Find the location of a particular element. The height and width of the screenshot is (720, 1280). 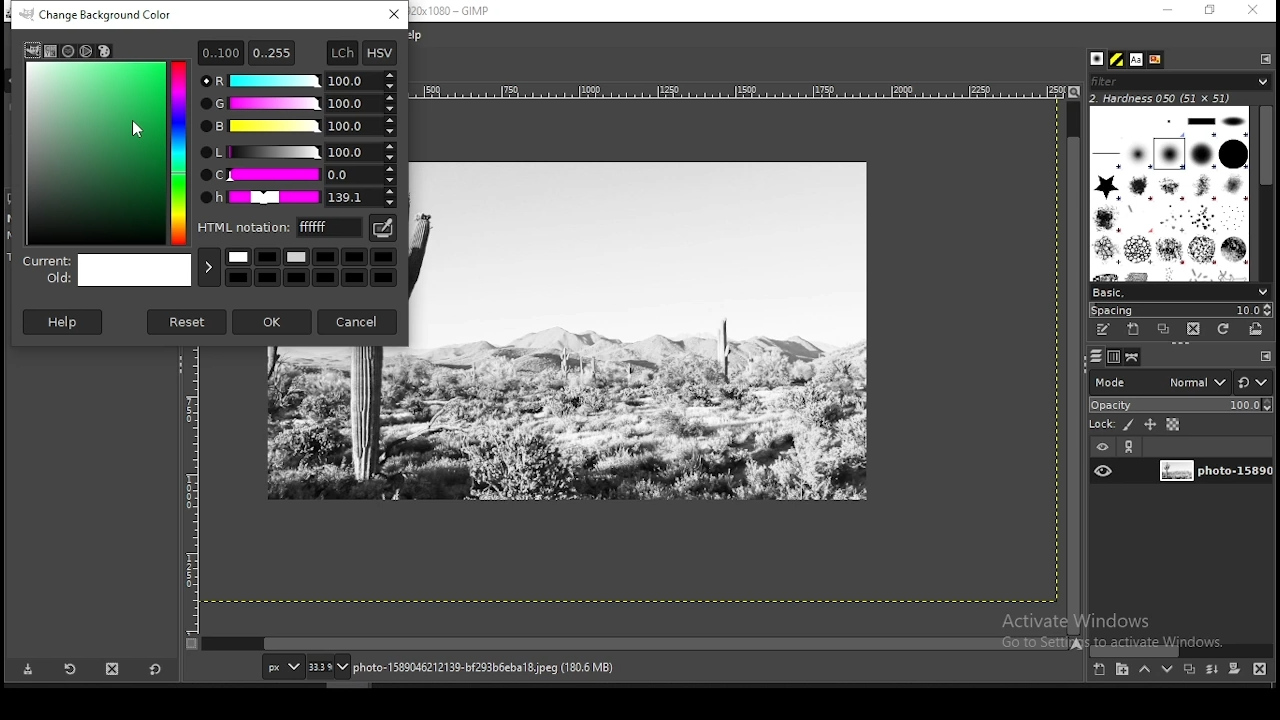

color picker is located at coordinates (381, 228).